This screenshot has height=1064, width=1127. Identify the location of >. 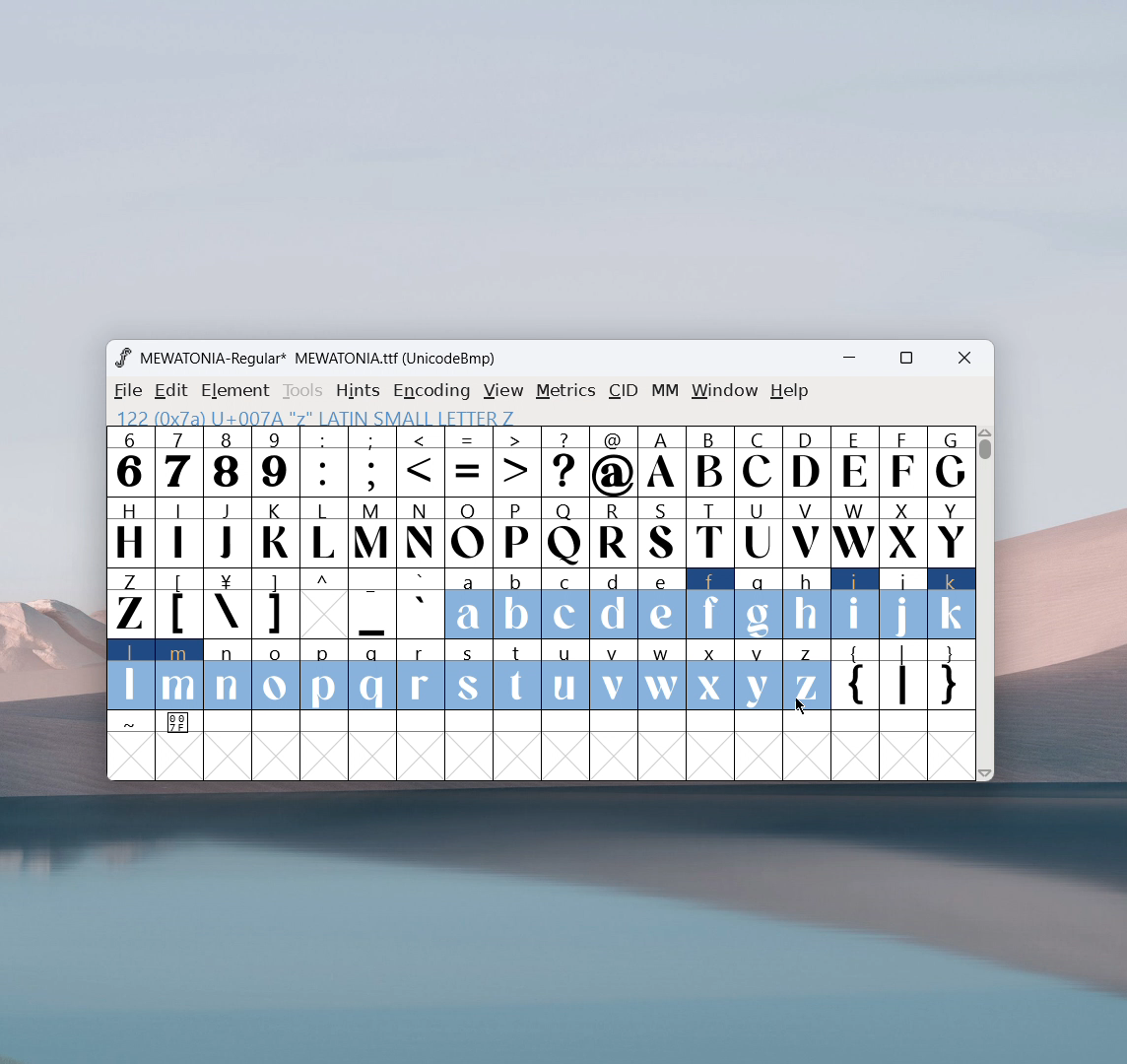
(518, 462).